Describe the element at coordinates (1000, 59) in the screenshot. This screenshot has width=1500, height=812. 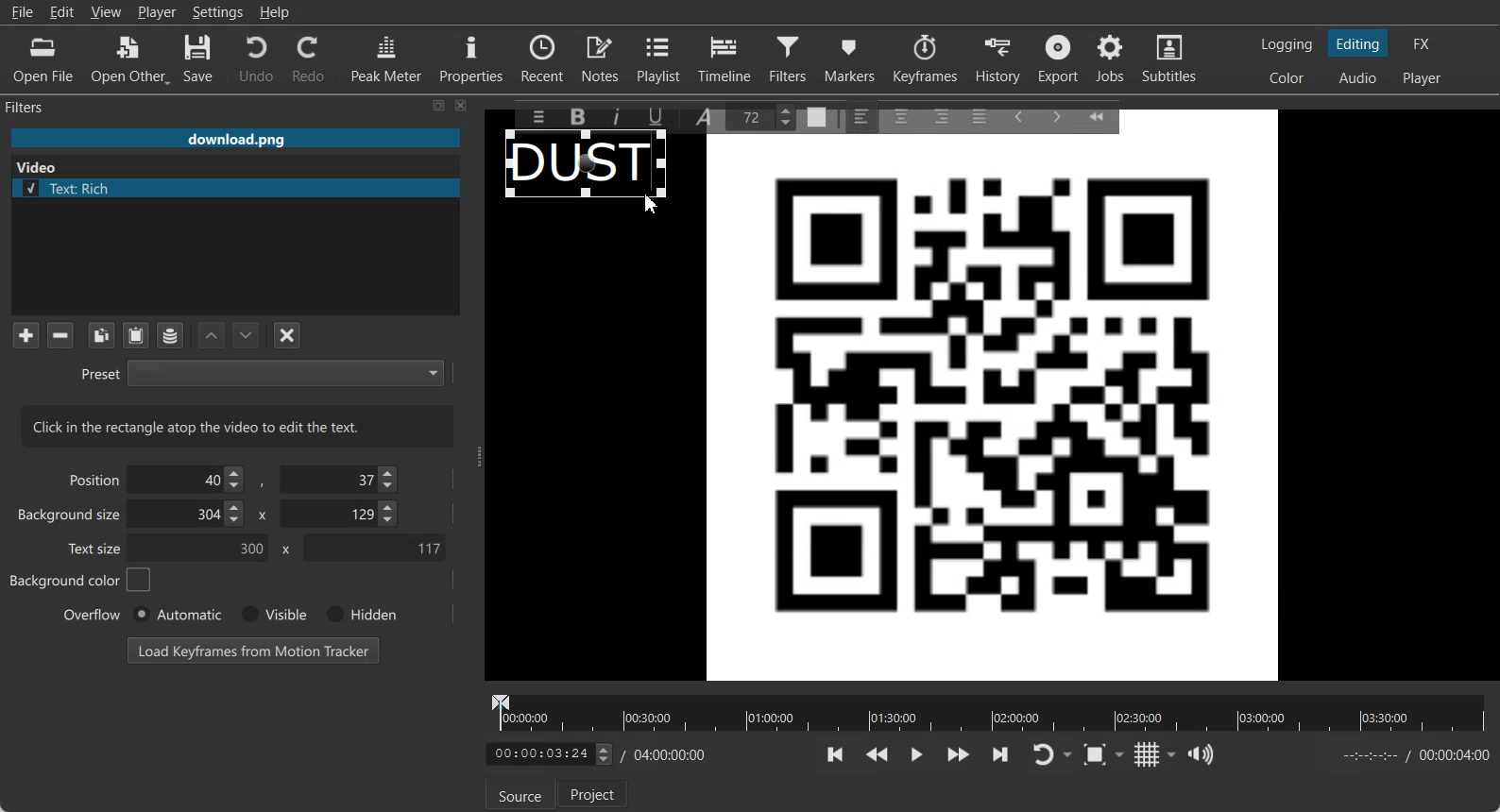
I see `History` at that location.